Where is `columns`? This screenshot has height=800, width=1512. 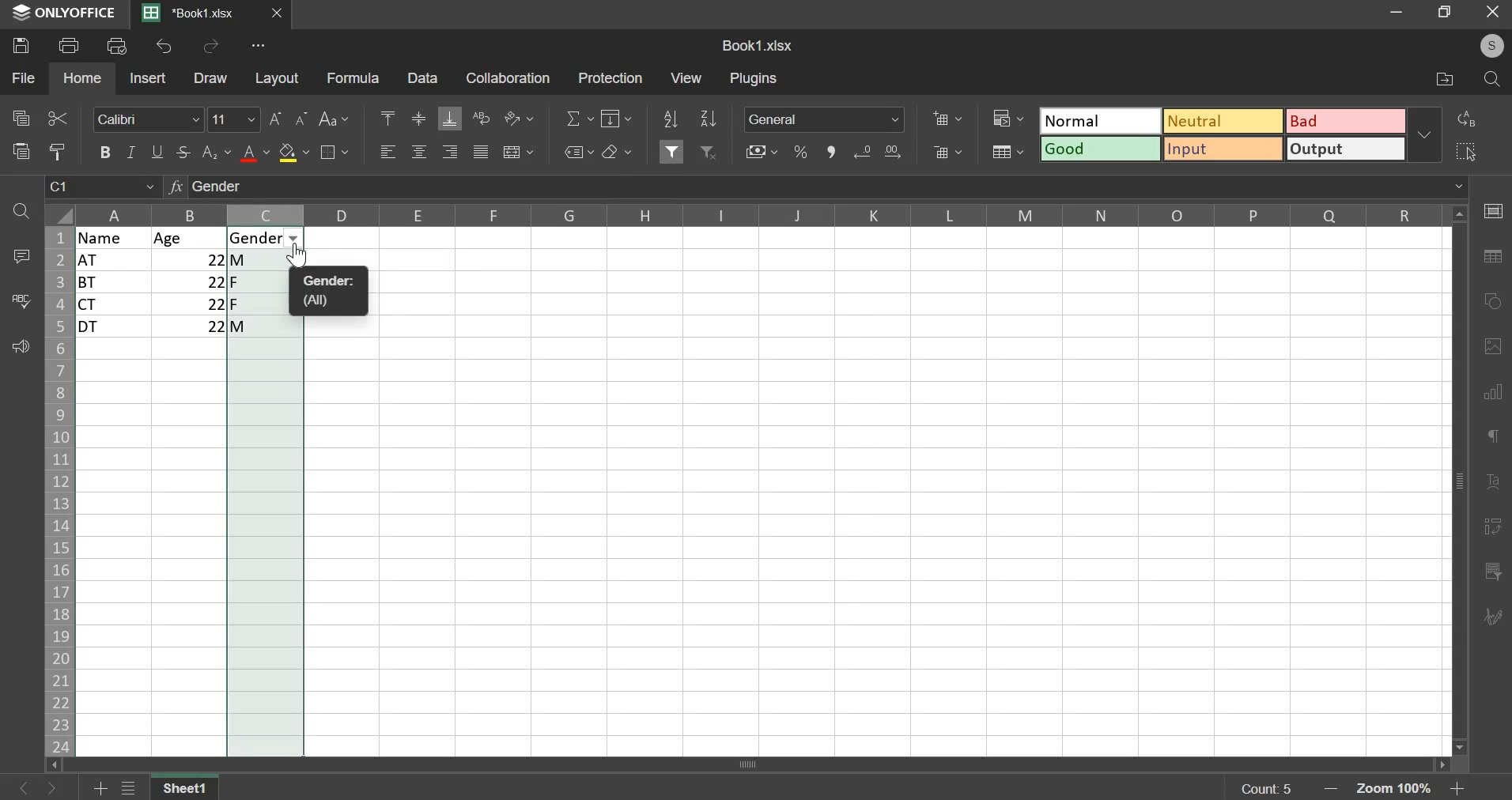 columns is located at coordinates (763, 213).